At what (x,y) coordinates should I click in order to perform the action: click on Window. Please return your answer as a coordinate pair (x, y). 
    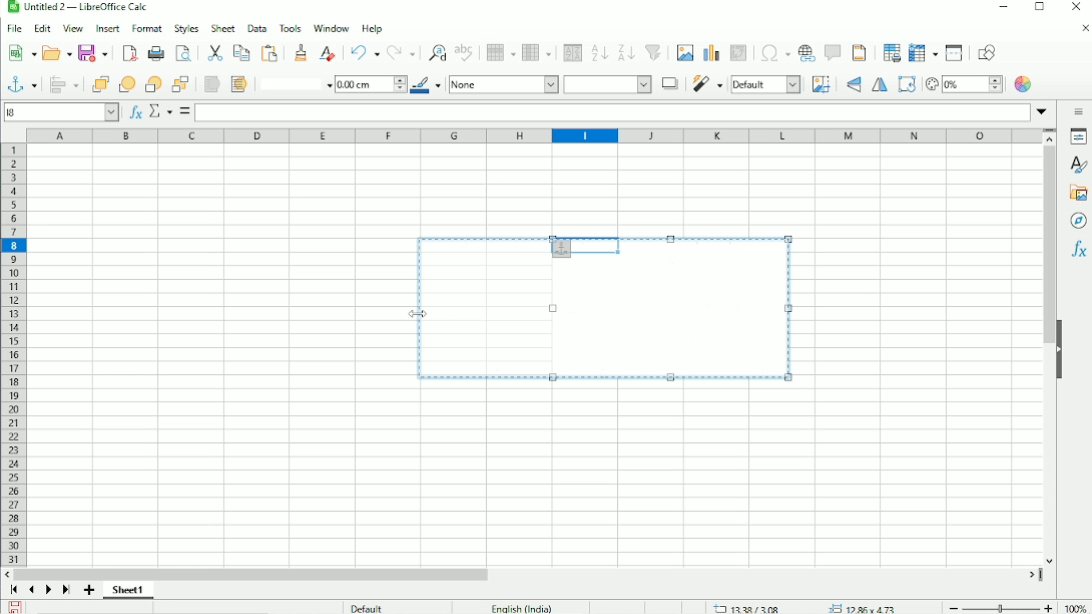
    Looking at the image, I should click on (330, 28).